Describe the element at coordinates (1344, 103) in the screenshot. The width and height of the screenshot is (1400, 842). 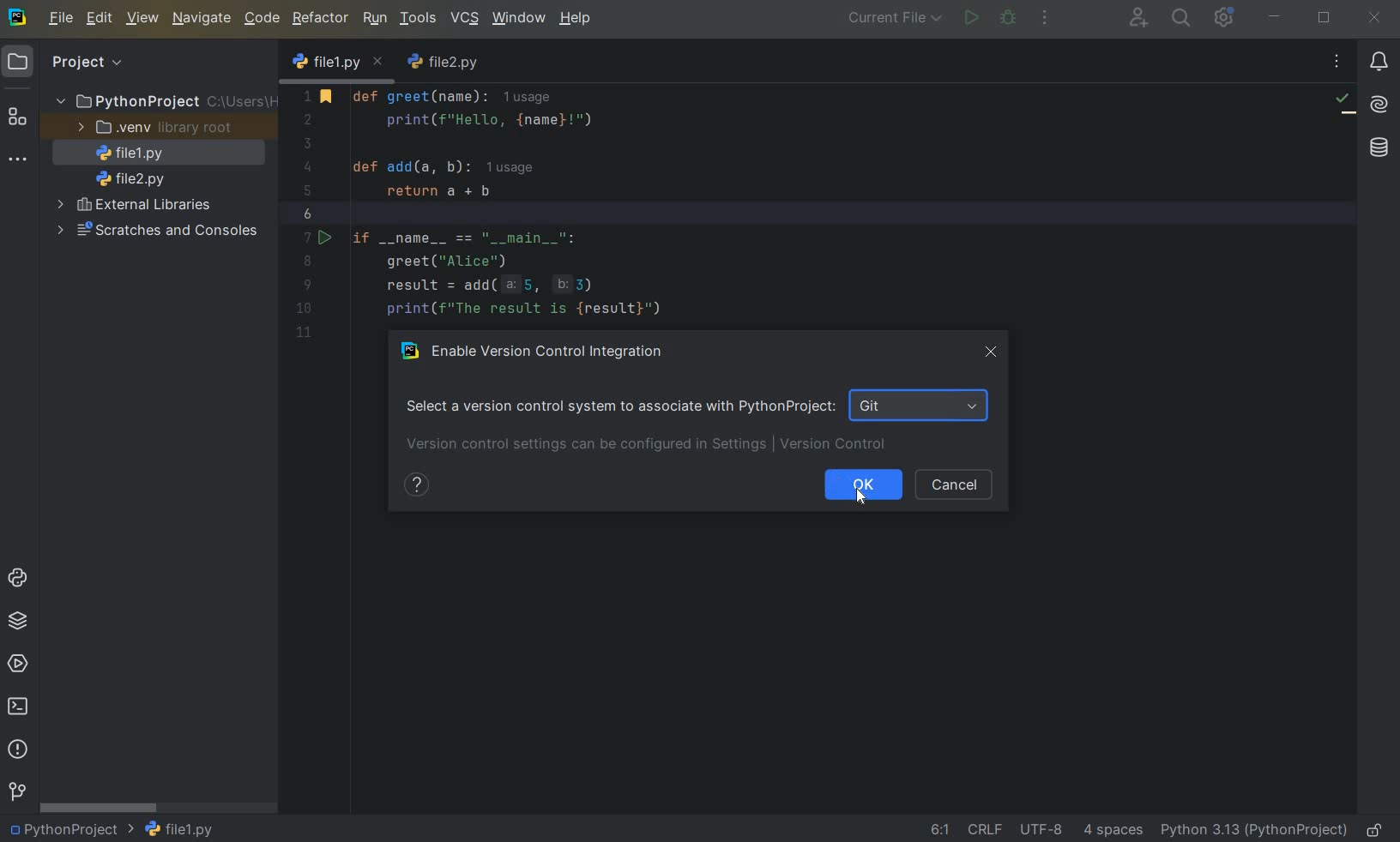
I see `no problems` at that location.